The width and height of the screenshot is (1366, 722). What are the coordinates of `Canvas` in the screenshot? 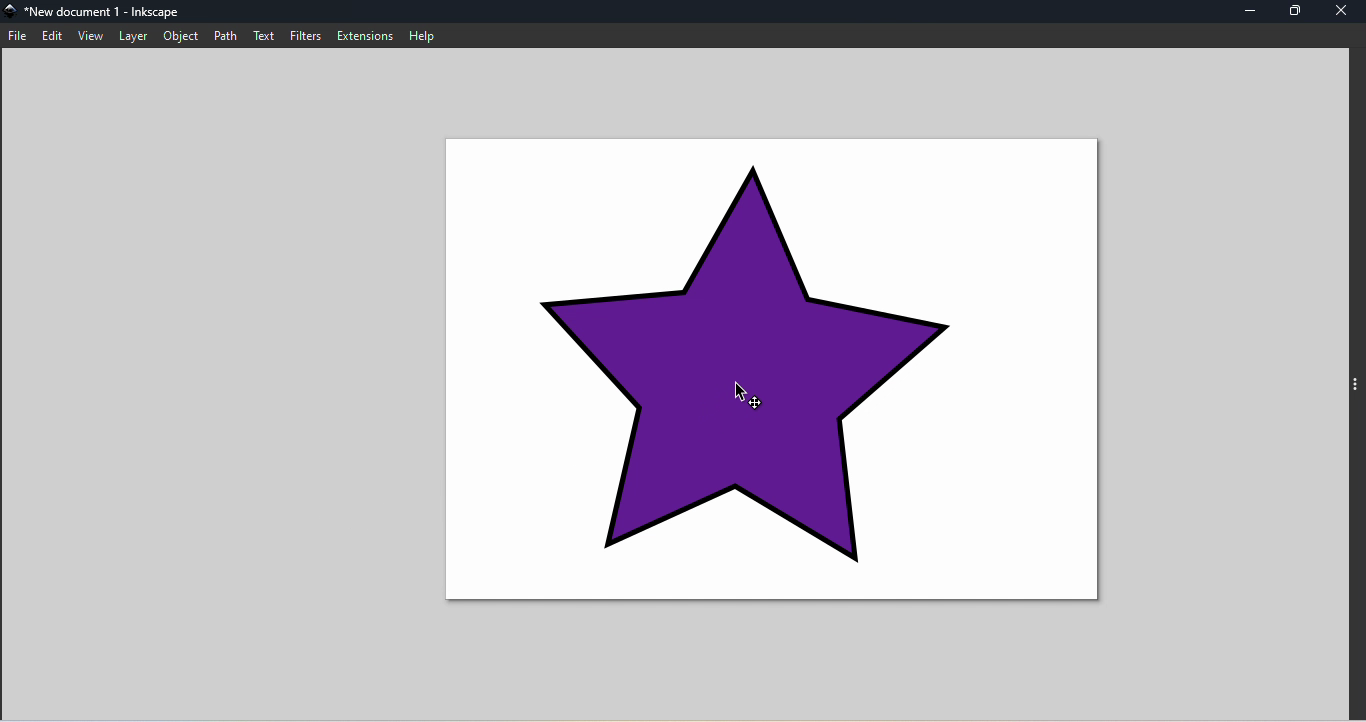 It's located at (777, 370).